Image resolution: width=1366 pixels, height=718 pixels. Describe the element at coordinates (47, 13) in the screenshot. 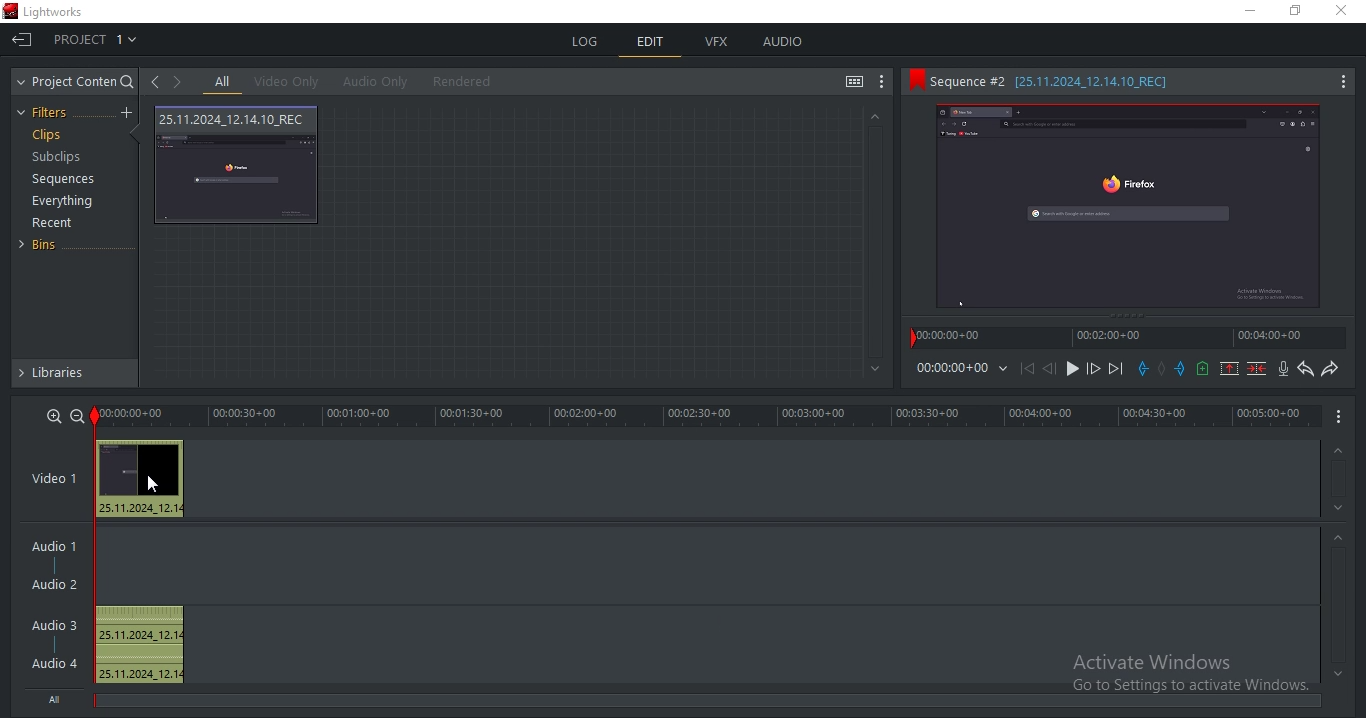

I see `app title` at that location.